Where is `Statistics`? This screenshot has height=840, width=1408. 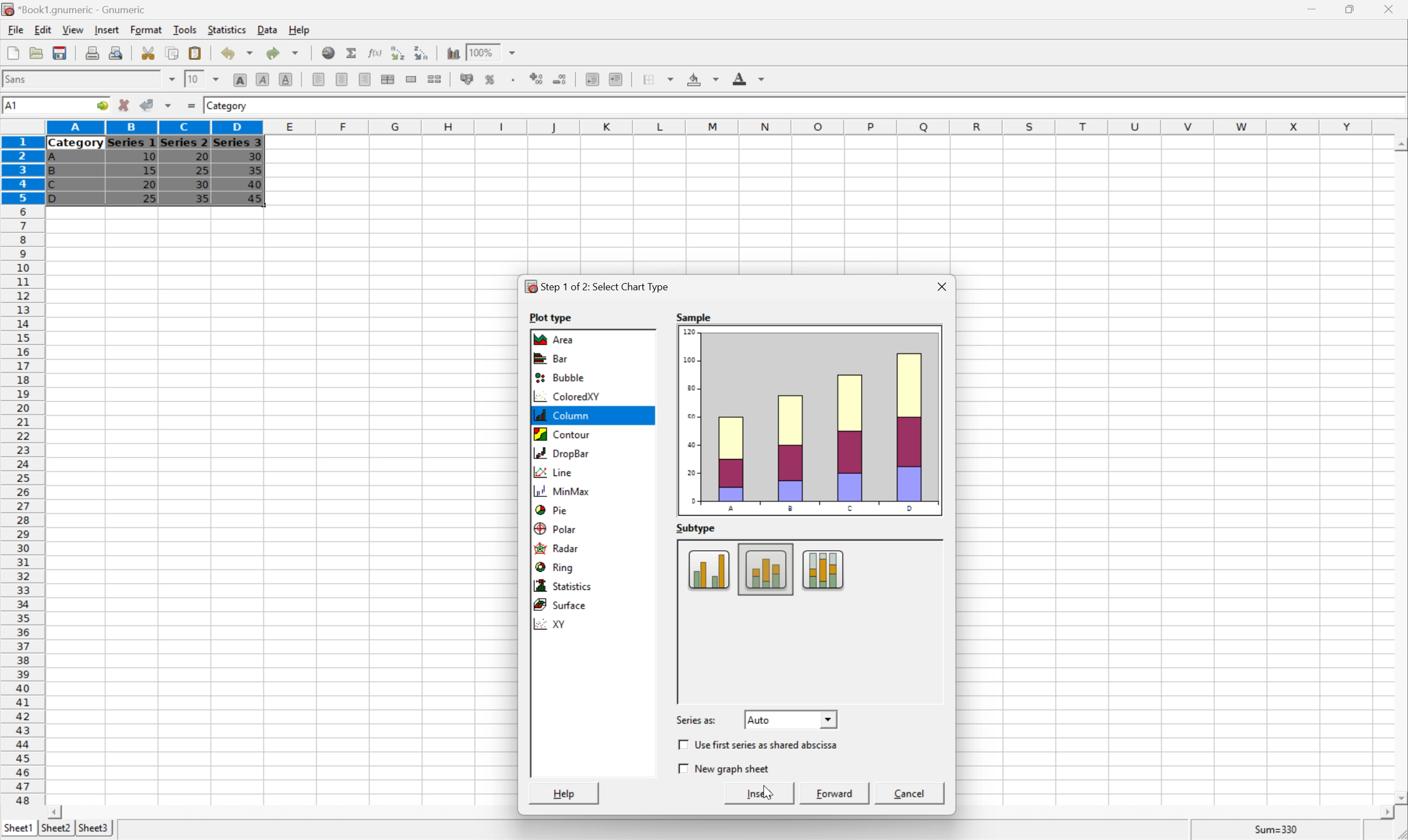
Statistics is located at coordinates (565, 586).